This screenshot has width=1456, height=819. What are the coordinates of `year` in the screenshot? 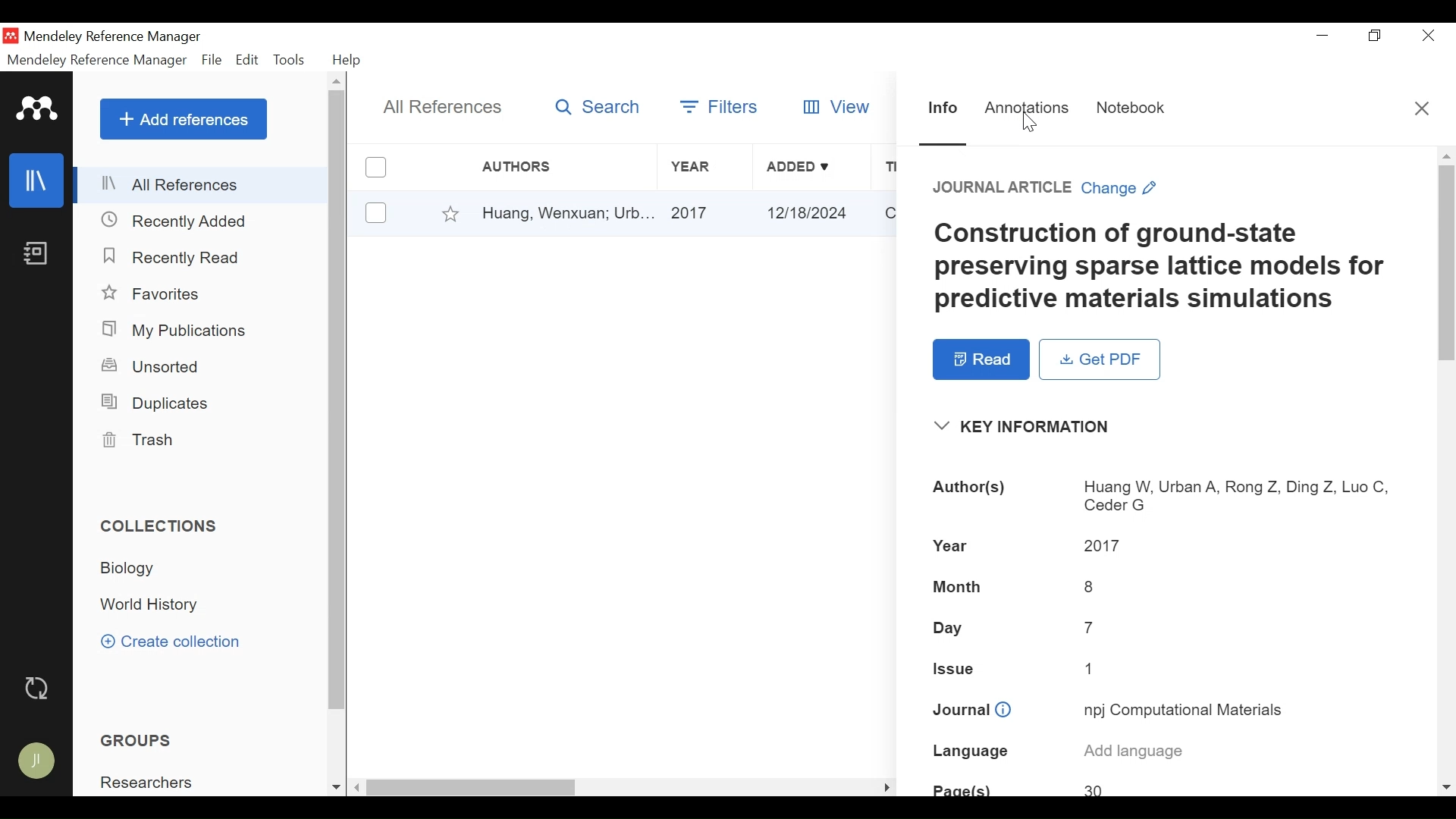 It's located at (950, 547).